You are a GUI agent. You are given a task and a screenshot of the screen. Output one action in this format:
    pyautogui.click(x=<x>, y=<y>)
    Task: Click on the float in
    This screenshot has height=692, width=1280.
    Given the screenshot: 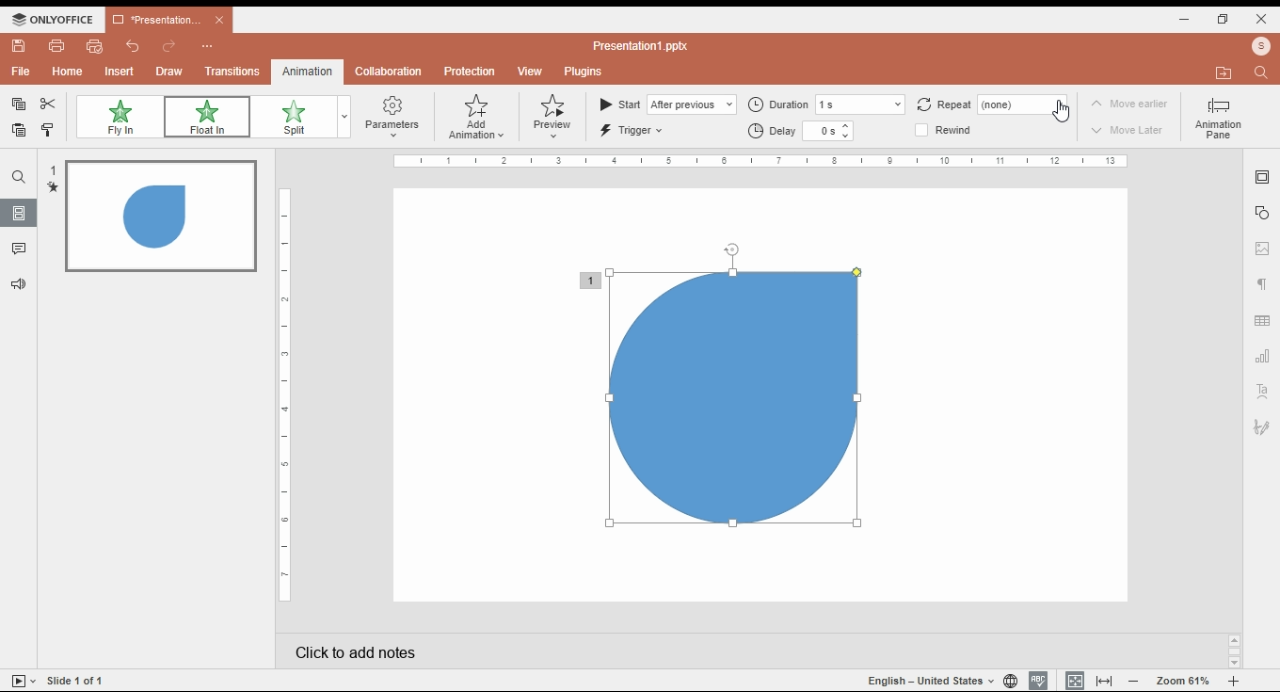 What is the action you would take?
    pyautogui.click(x=206, y=118)
    